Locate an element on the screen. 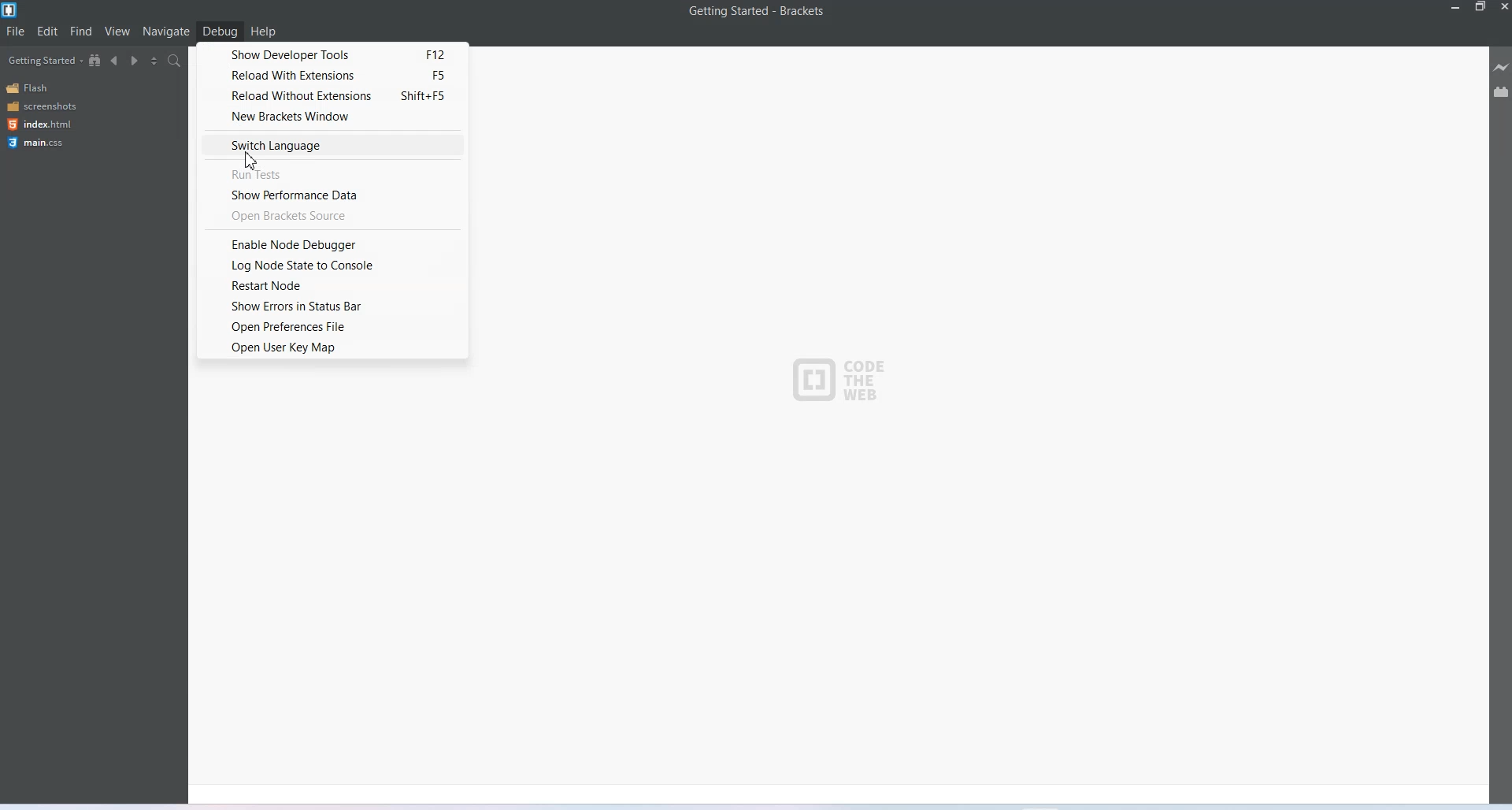  Show errors in status bar is located at coordinates (333, 307).